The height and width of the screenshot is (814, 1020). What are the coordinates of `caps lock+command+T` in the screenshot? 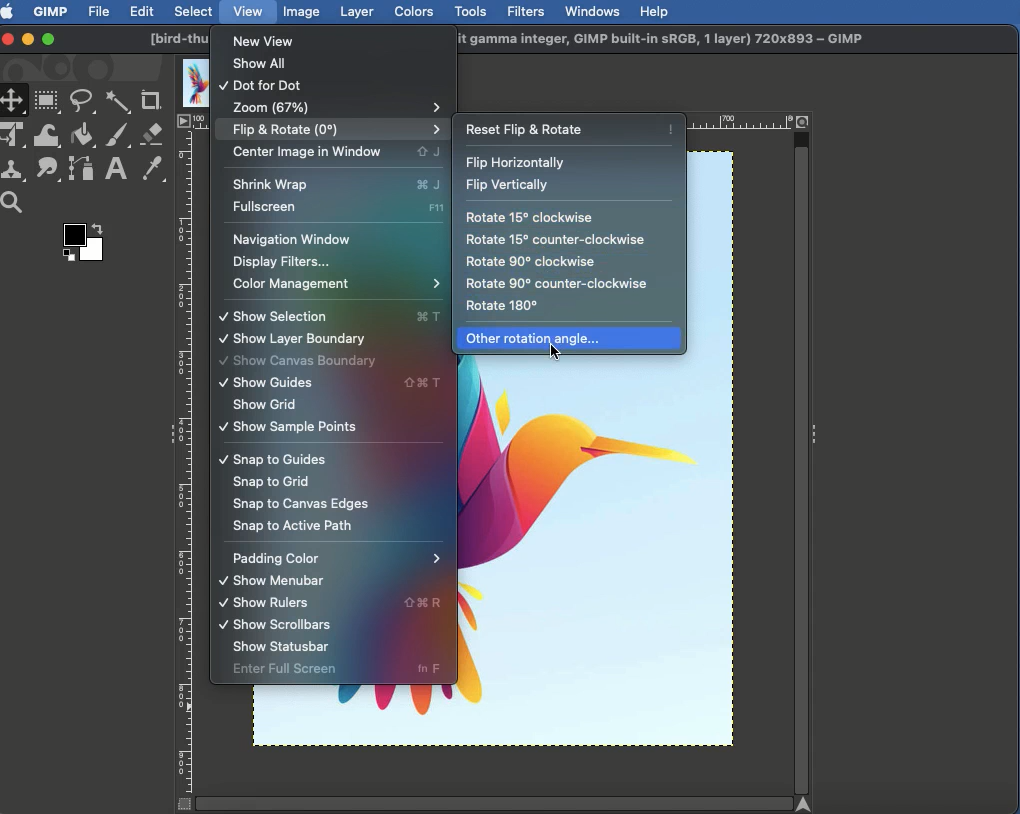 It's located at (426, 383).